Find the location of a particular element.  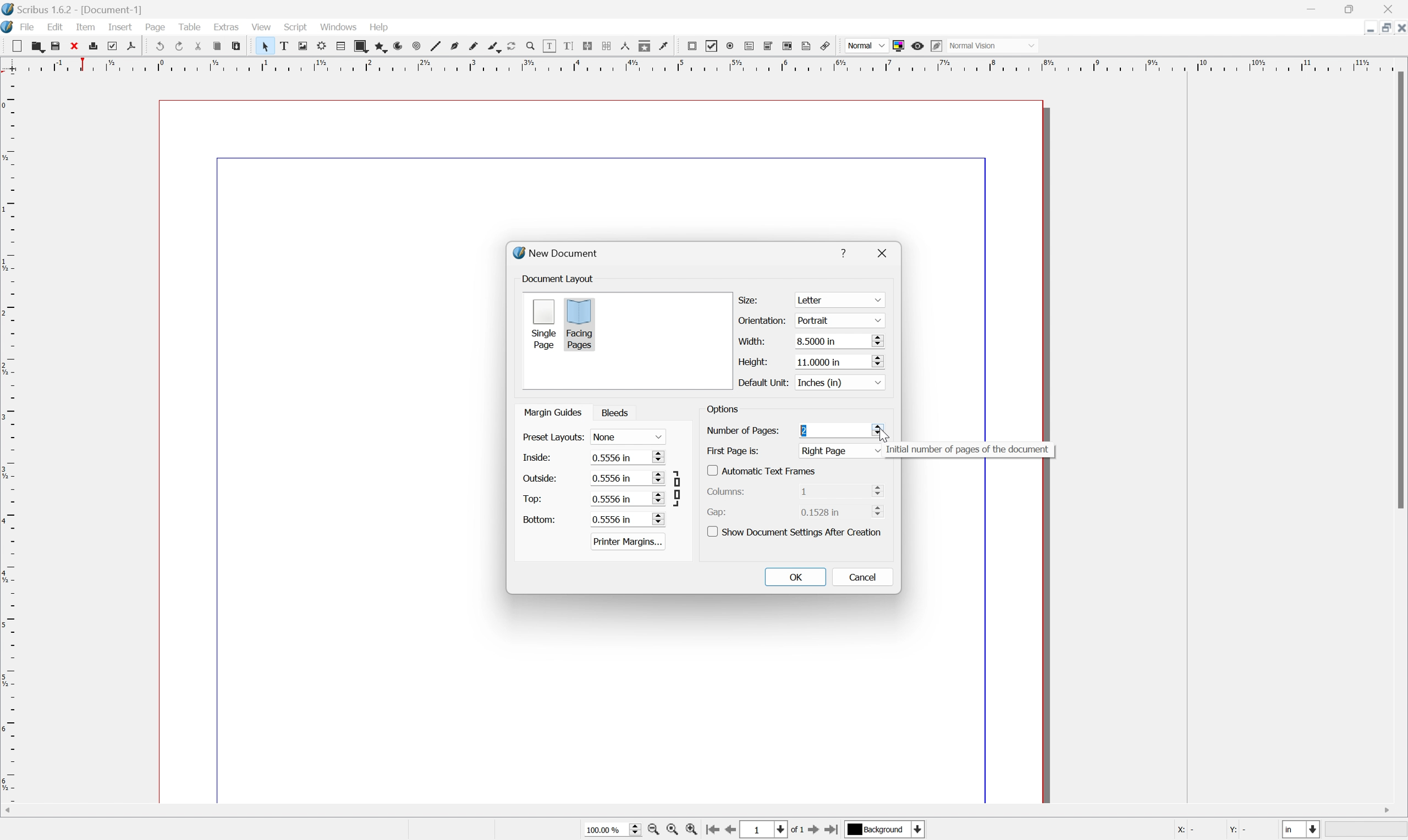

Background is located at coordinates (885, 830).